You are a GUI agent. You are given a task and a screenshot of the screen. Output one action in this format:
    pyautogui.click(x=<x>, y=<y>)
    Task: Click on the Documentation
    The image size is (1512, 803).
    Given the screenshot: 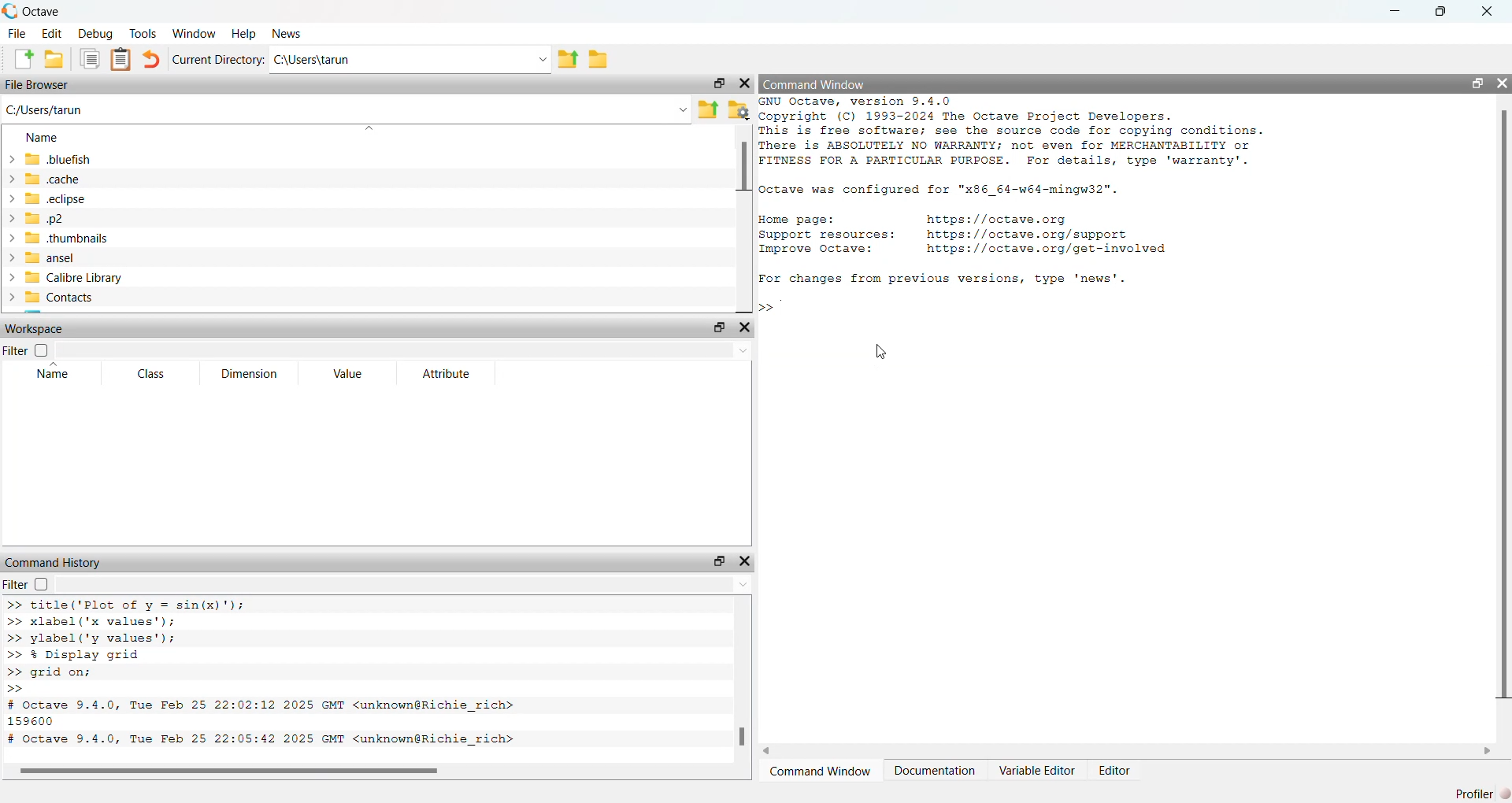 What is the action you would take?
    pyautogui.click(x=935, y=770)
    